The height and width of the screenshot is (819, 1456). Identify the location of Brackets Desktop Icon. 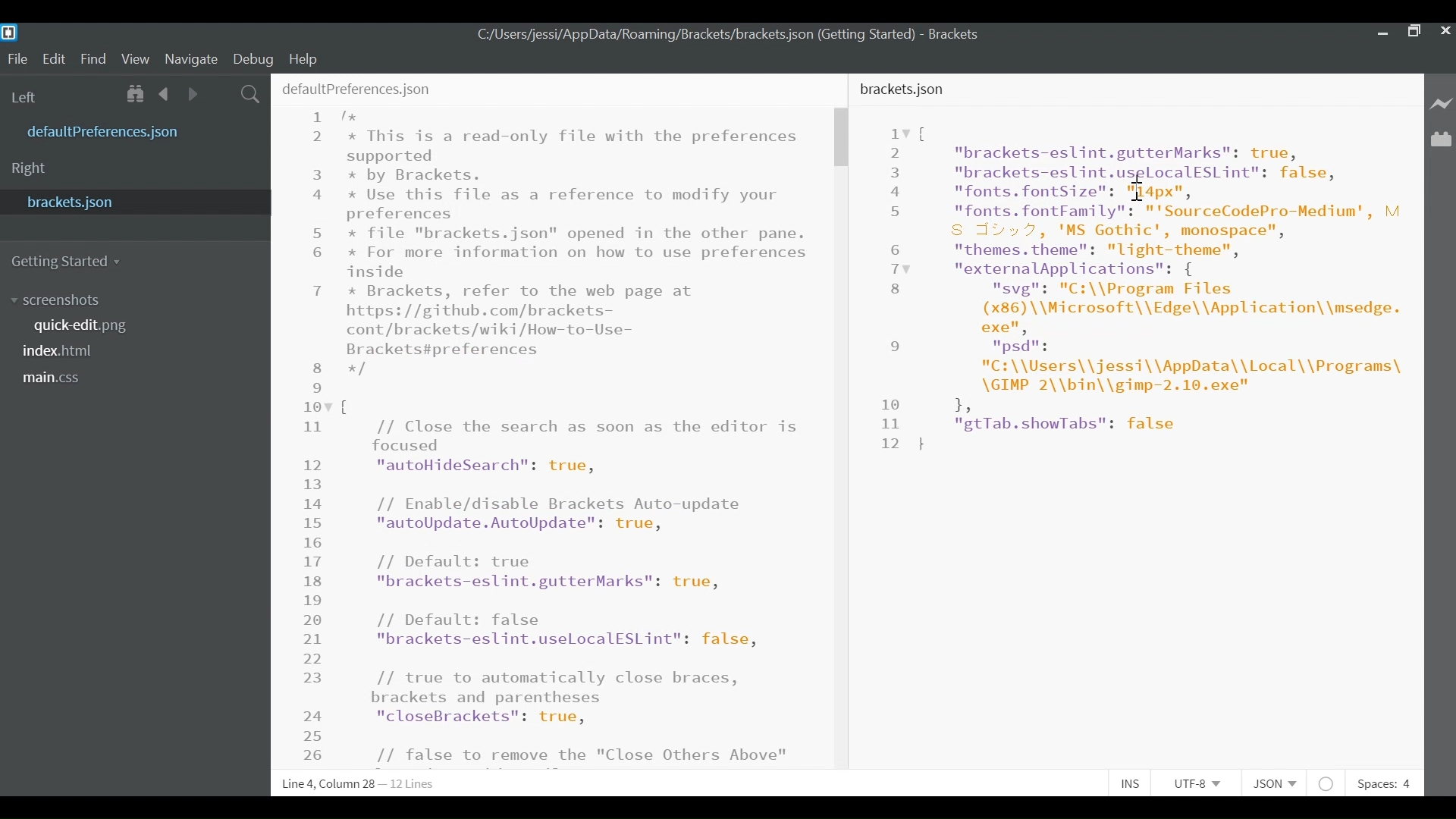
(11, 32).